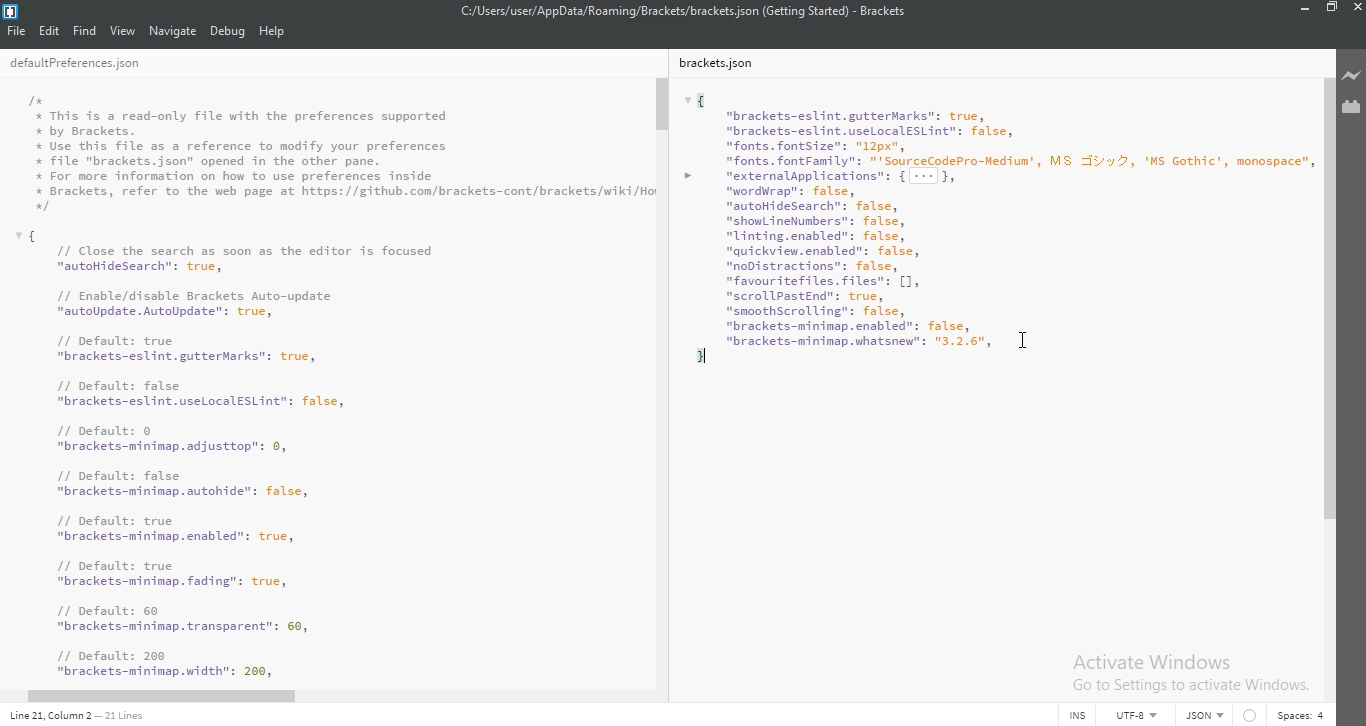 The height and width of the screenshot is (726, 1366). I want to click on close, so click(1356, 12).